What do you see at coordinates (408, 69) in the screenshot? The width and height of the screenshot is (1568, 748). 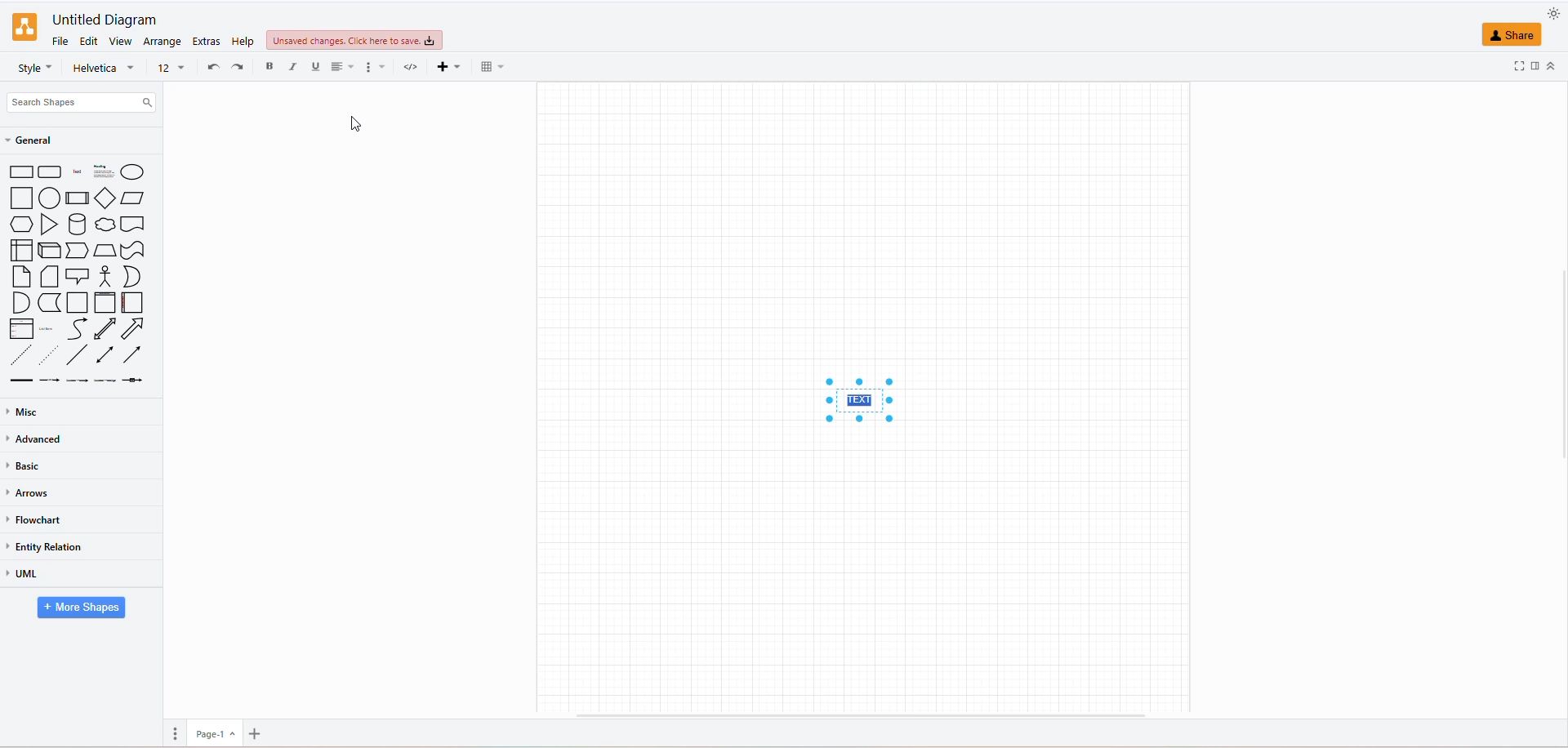 I see `html` at bounding box center [408, 69].